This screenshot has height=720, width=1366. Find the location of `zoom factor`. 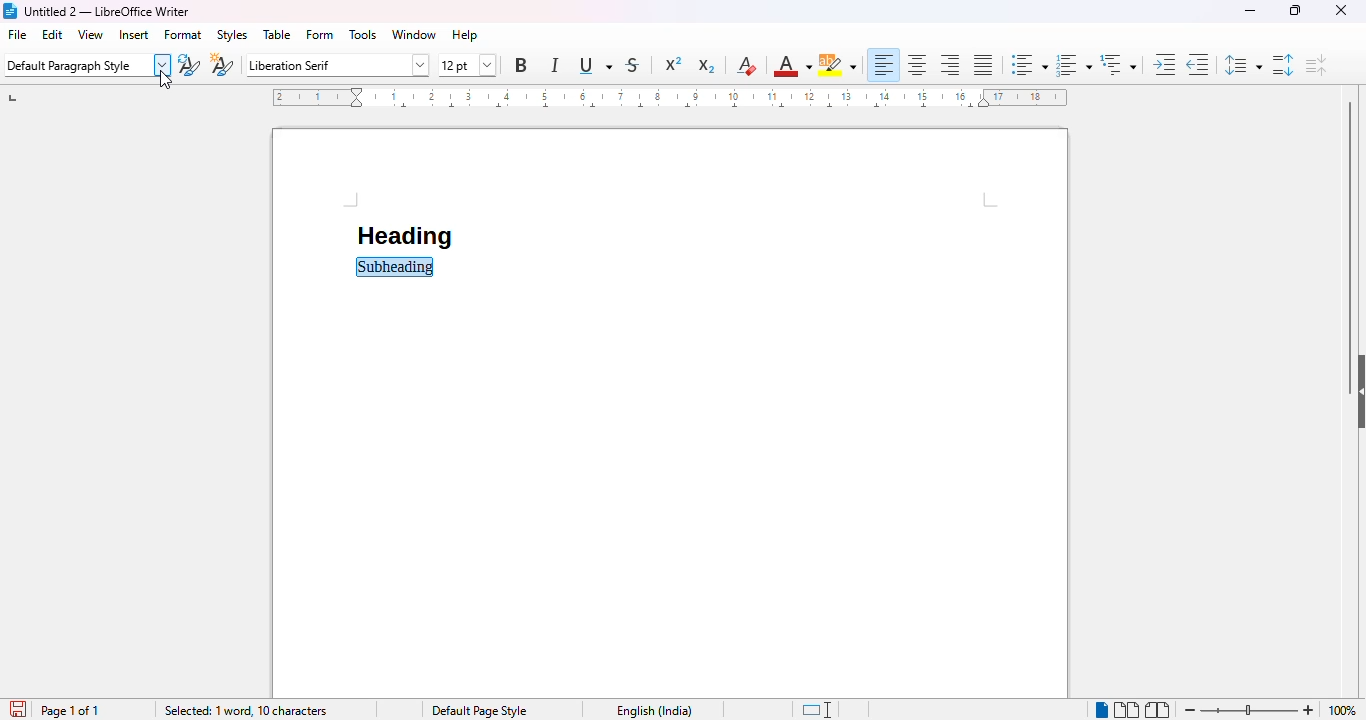

zoom factor is located at coordinates (1342, 711).